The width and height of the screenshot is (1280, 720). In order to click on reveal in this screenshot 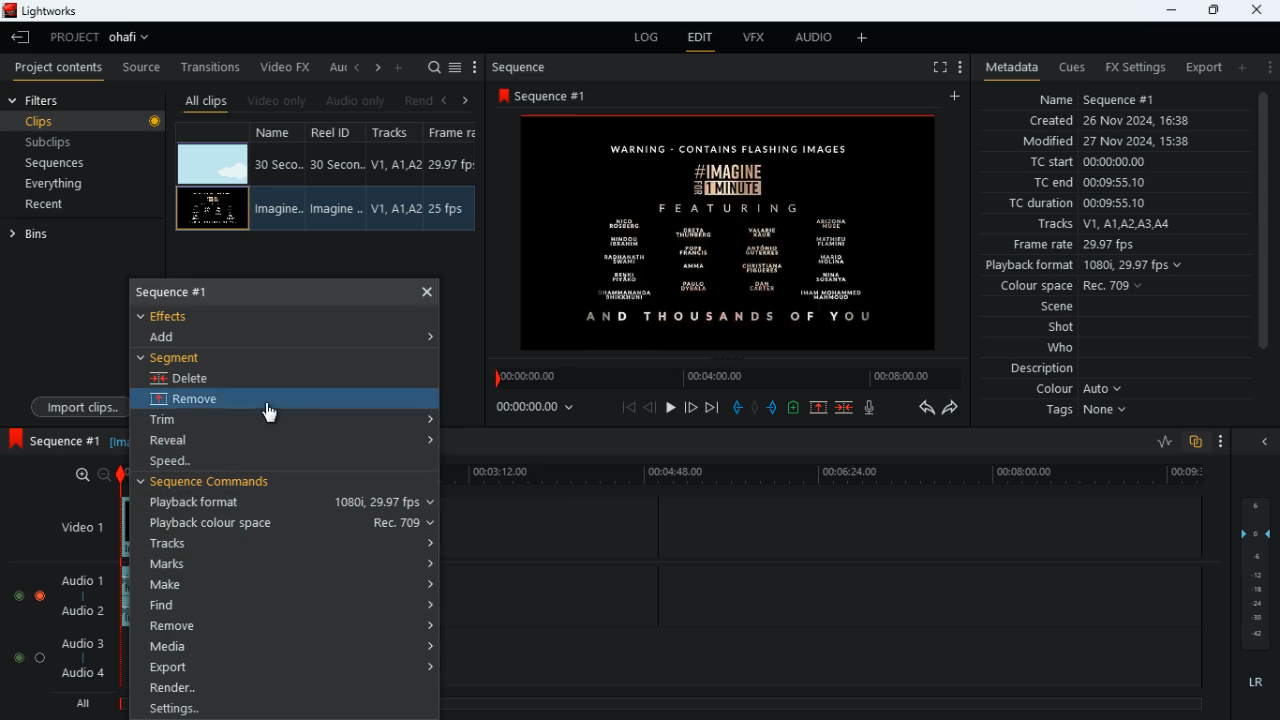, I will do `click(291, 440)`.